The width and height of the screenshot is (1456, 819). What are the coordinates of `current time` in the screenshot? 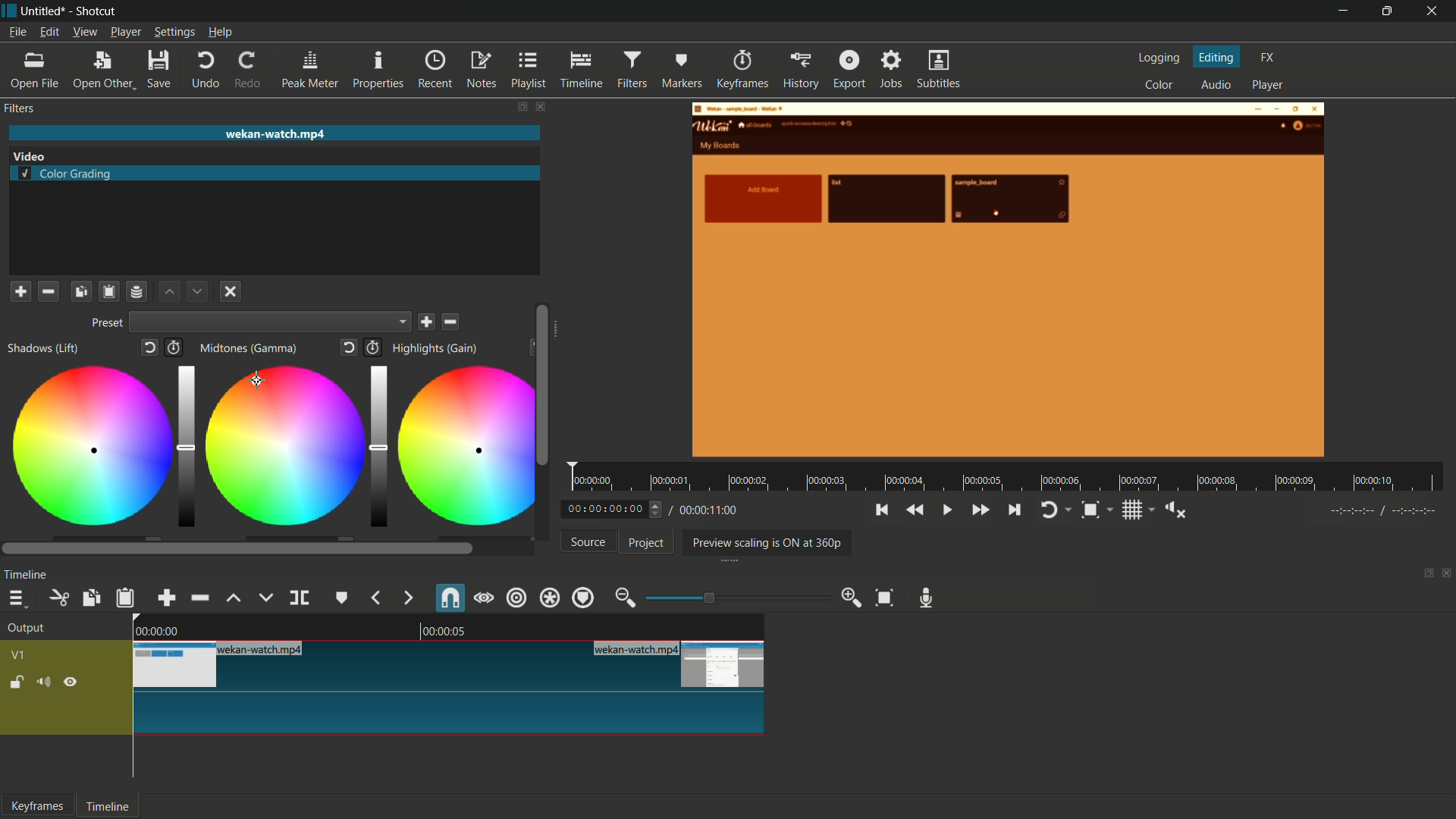 It's located at (616, 508).